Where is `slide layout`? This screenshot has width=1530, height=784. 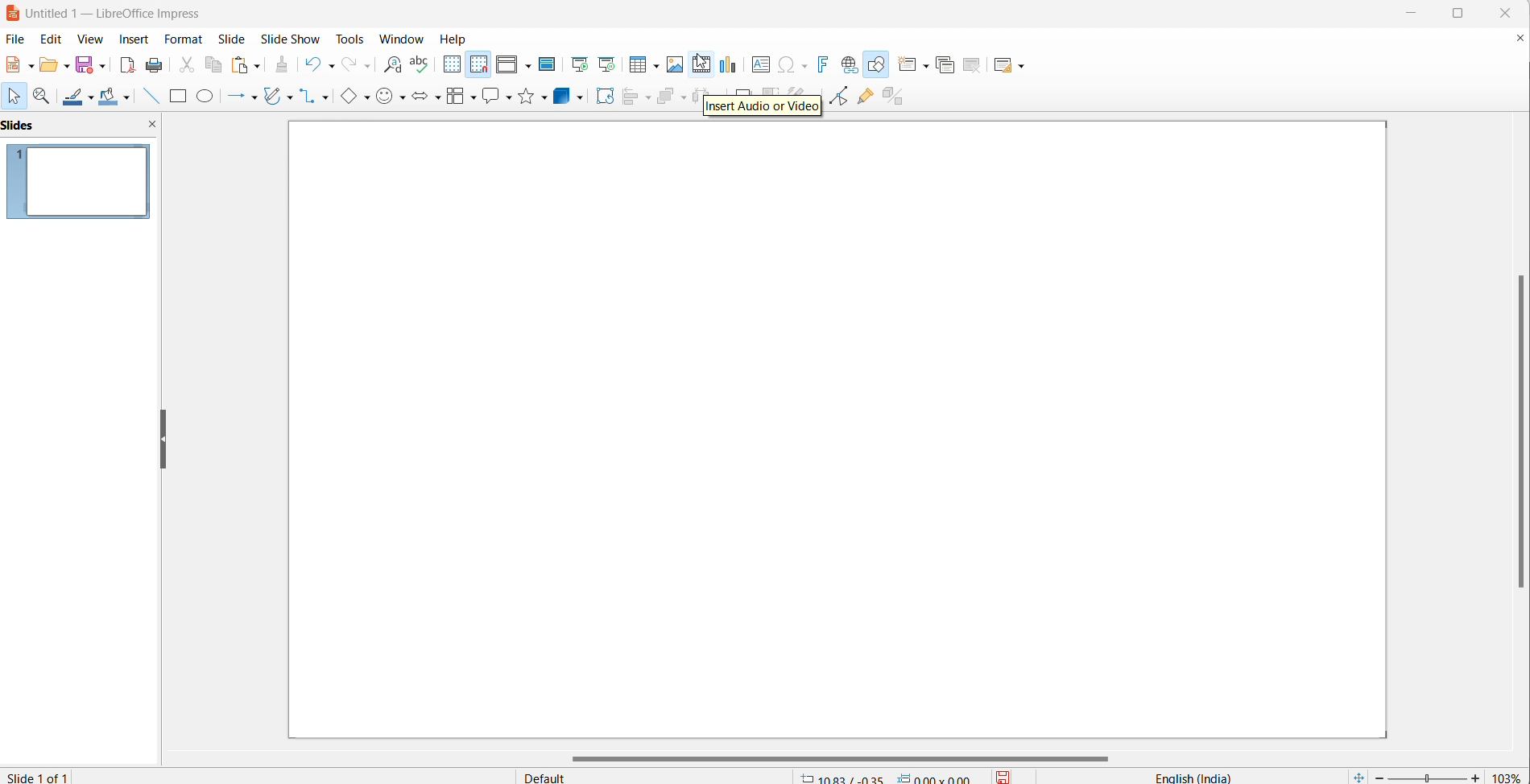
slide layout is located at coordinates (1006, 67).